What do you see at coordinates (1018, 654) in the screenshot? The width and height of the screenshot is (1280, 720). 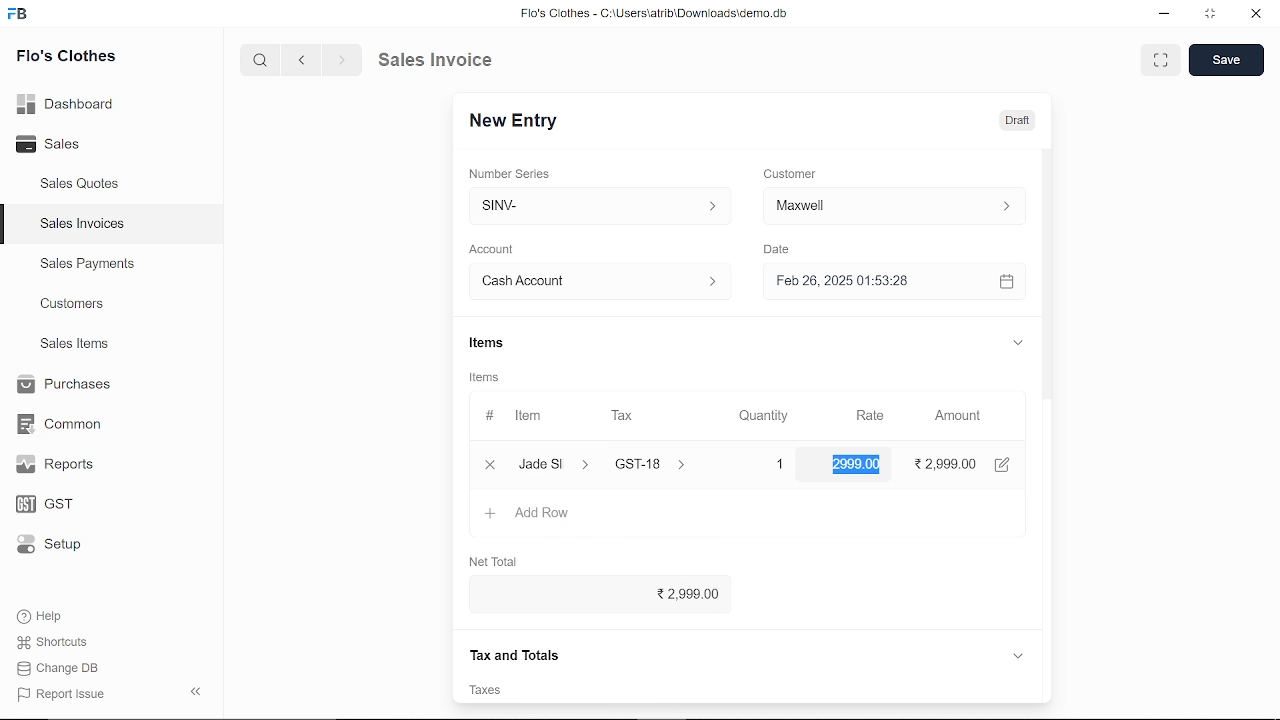 I see `expand` at bounding box center [1018, 654].